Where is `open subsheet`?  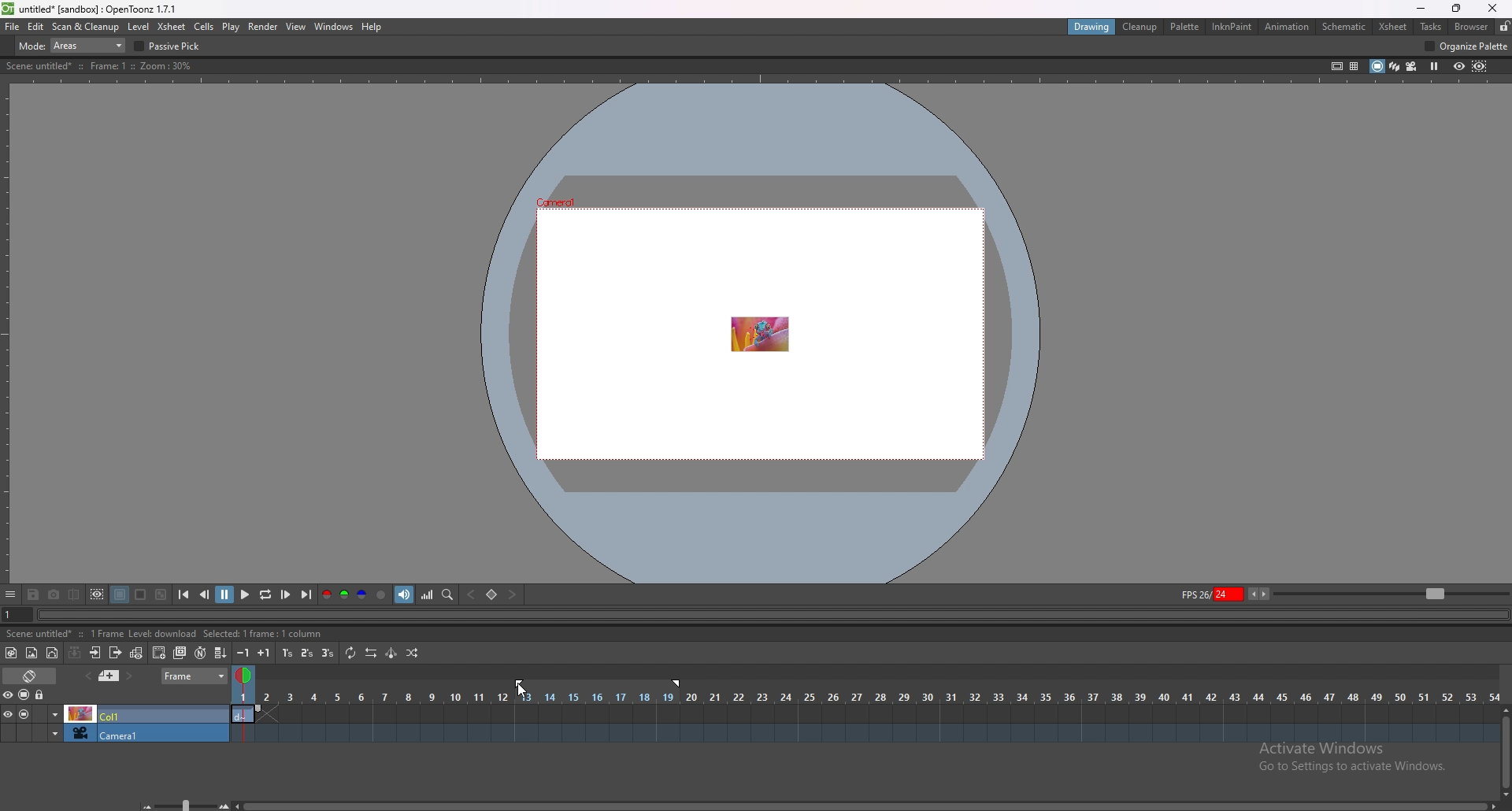 open subsheet is located at coordinates (95, 653).